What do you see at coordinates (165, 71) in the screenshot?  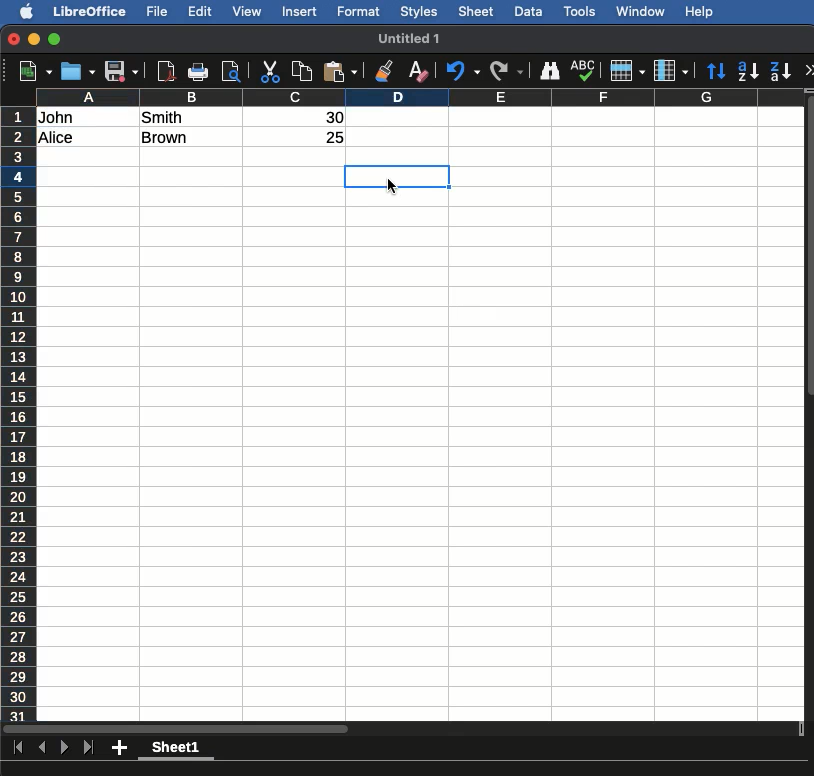 I see `Export to pdf` at bounding box center [165, 71].